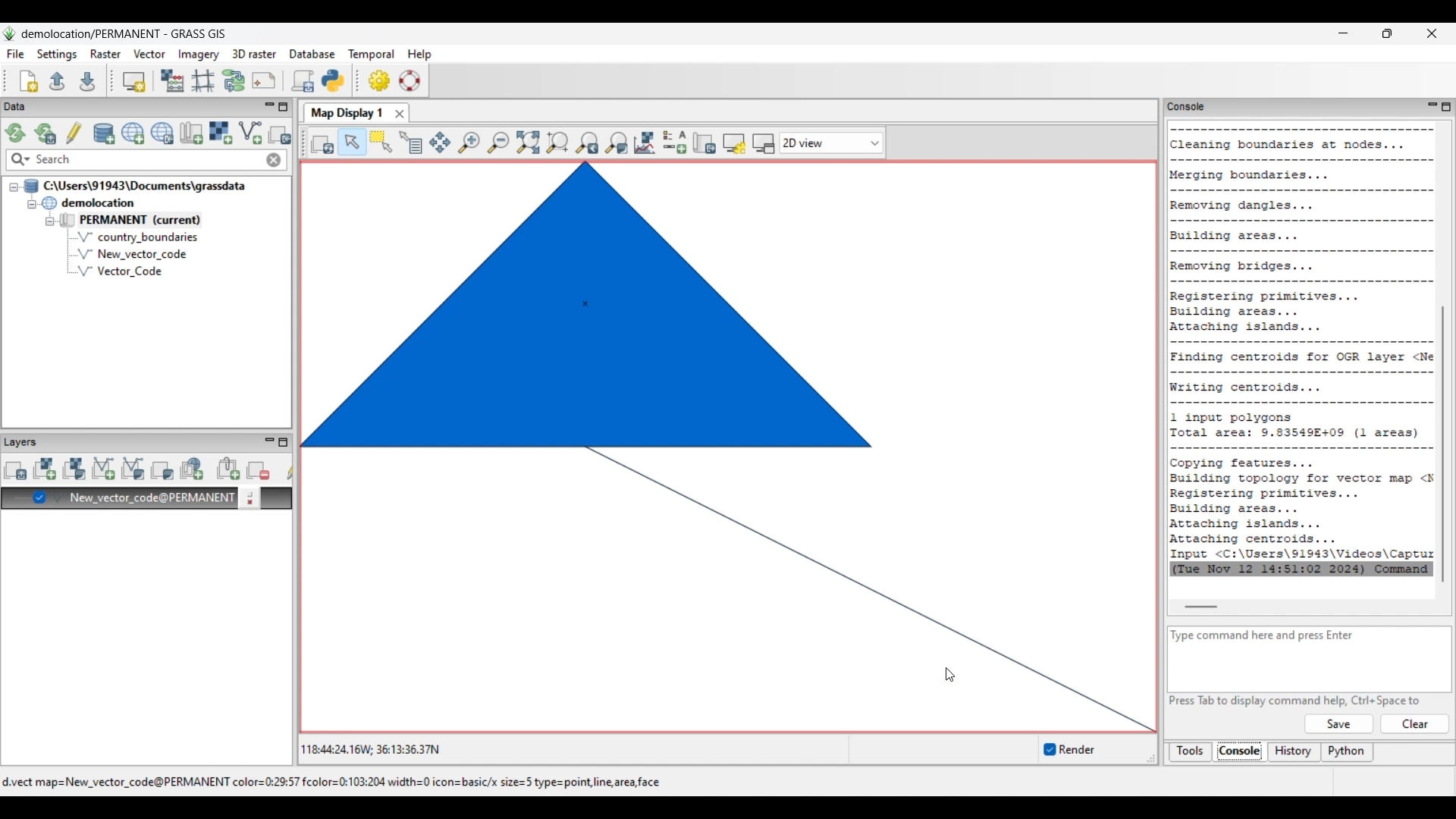 This screenshot has width=1456, height=819. I want to click on Remove selected map layer(s) from layer tree, so click(259, 469).